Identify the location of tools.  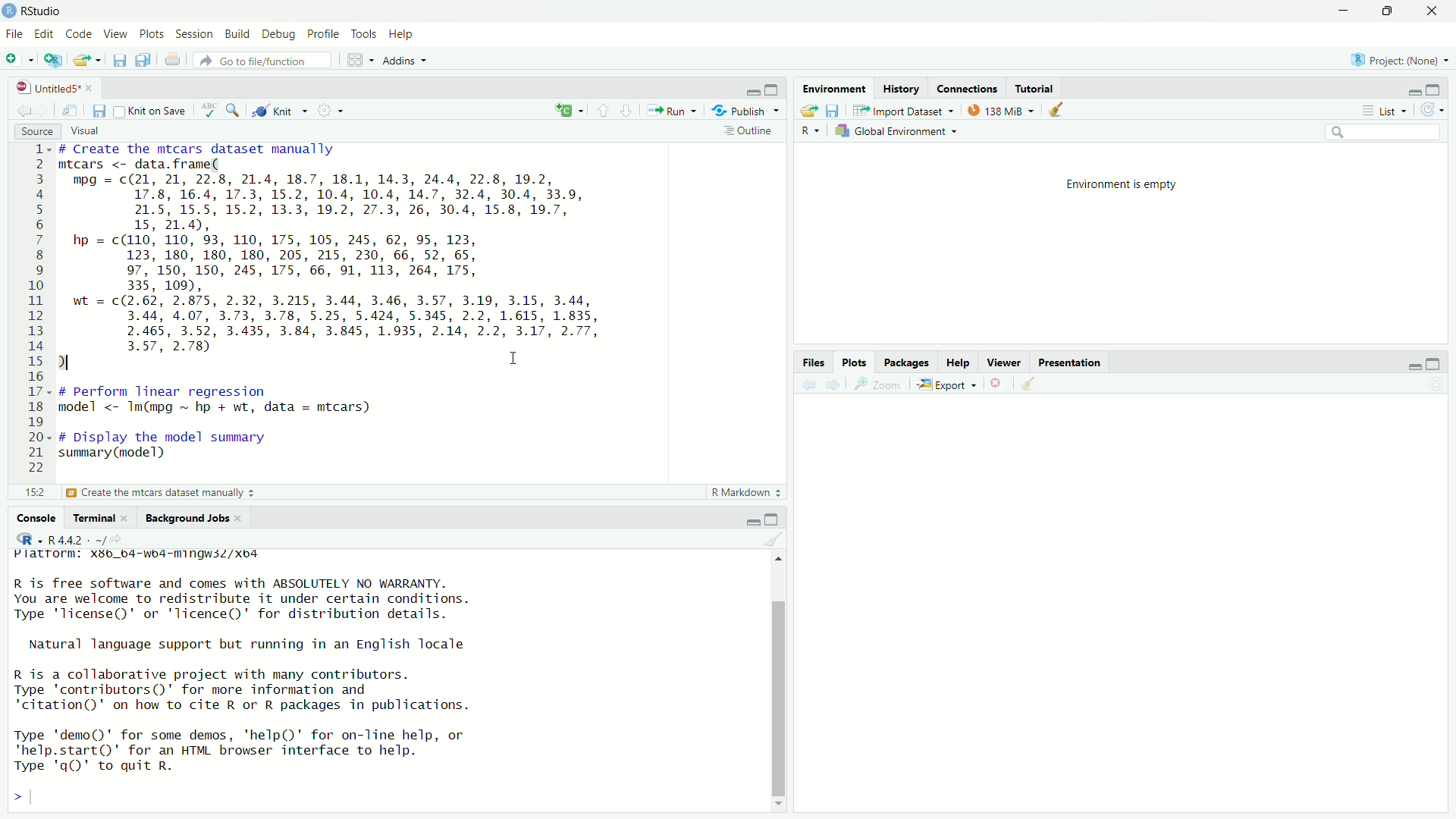
(362, 33).